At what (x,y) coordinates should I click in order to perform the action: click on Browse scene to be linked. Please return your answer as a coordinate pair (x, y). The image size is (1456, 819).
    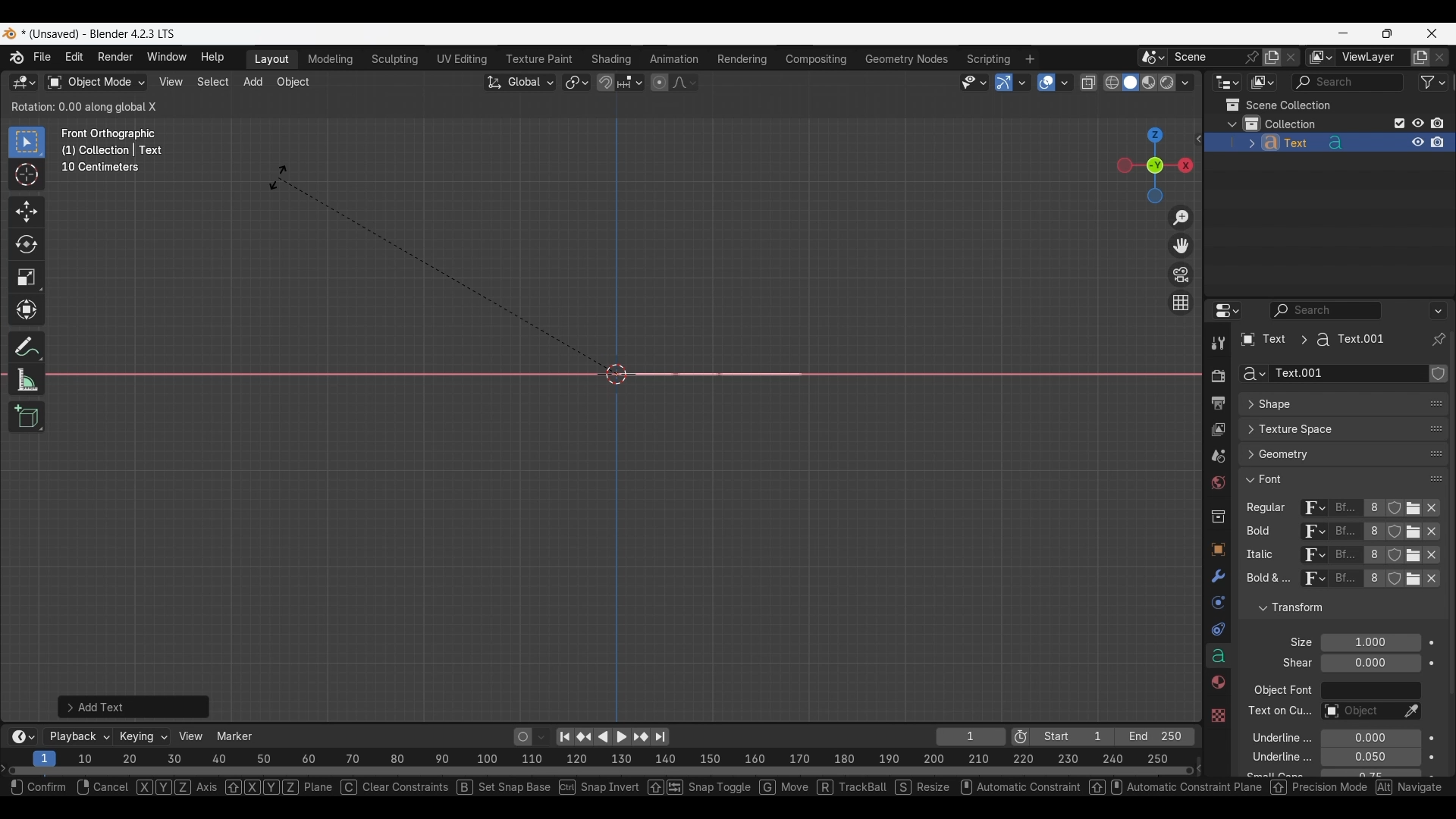
    Looking at the image, I should click on (1153, 58).